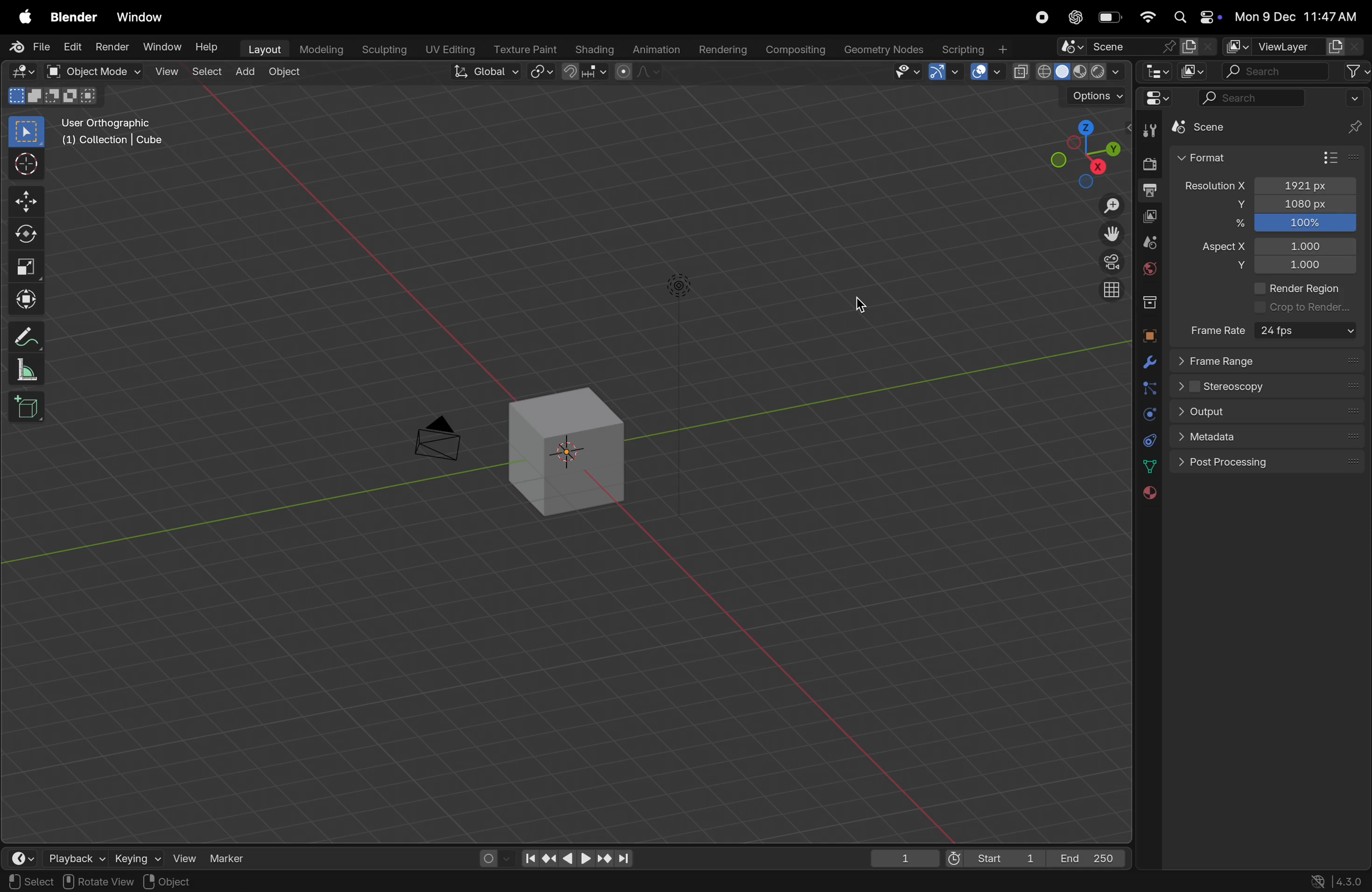  What do you see at coordinates (726, 48) in the screenshot?
I see `Rendering` at bounding box center [726, 48].